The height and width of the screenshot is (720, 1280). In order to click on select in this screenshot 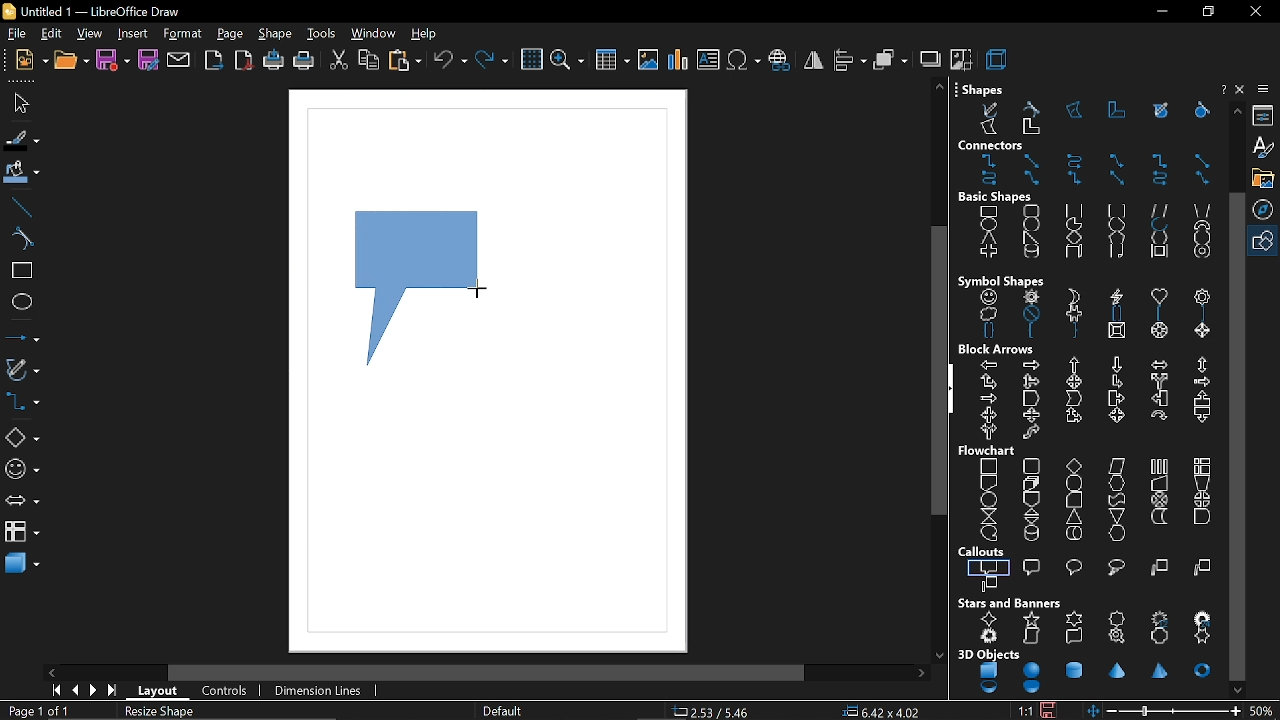, I will do `click(18, 103)`.